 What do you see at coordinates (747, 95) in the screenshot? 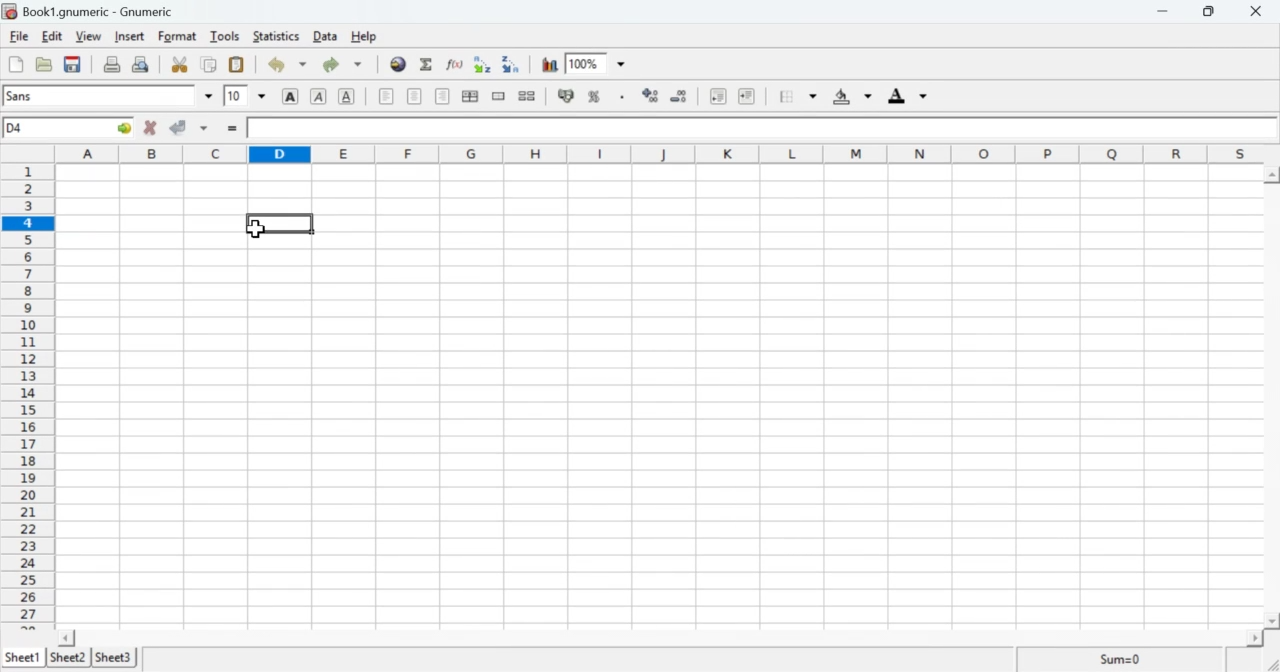
I see `Increase Indent` at bounding box center [747, 95].